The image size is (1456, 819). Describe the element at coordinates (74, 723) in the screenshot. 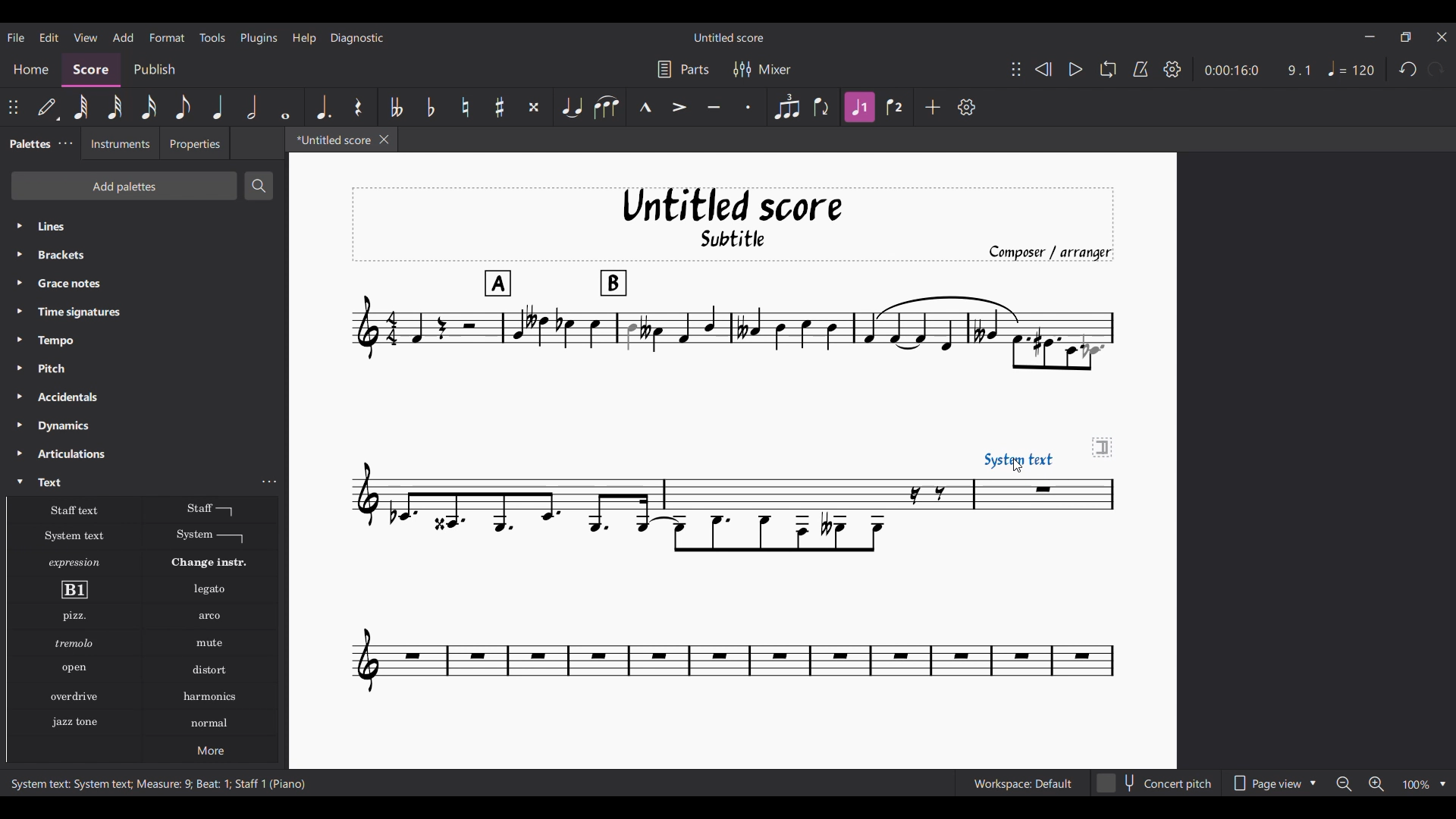

I see `Jazz stone` at that location.